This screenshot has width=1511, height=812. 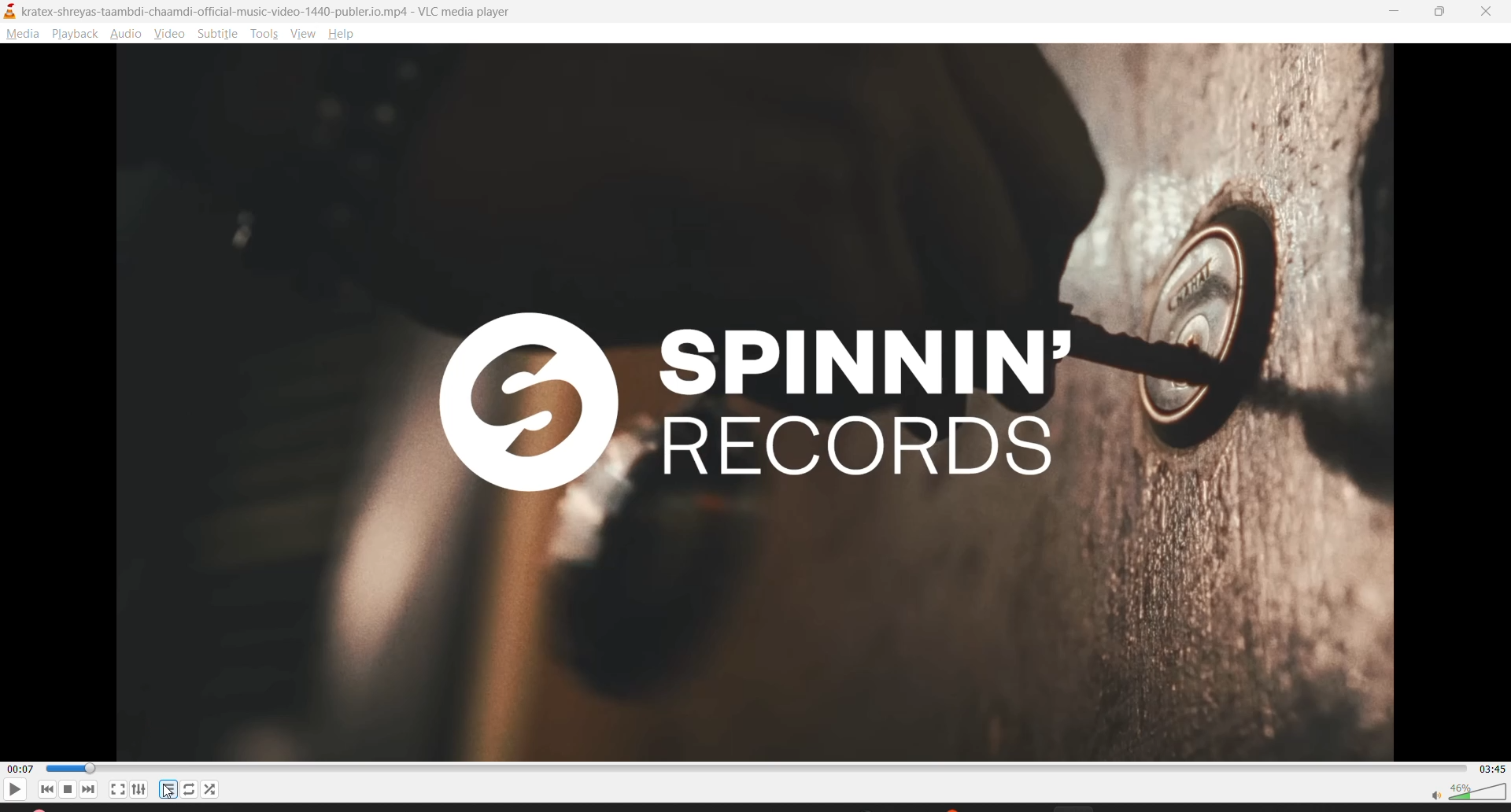 I want to click on play, so click(x=13, y=788).